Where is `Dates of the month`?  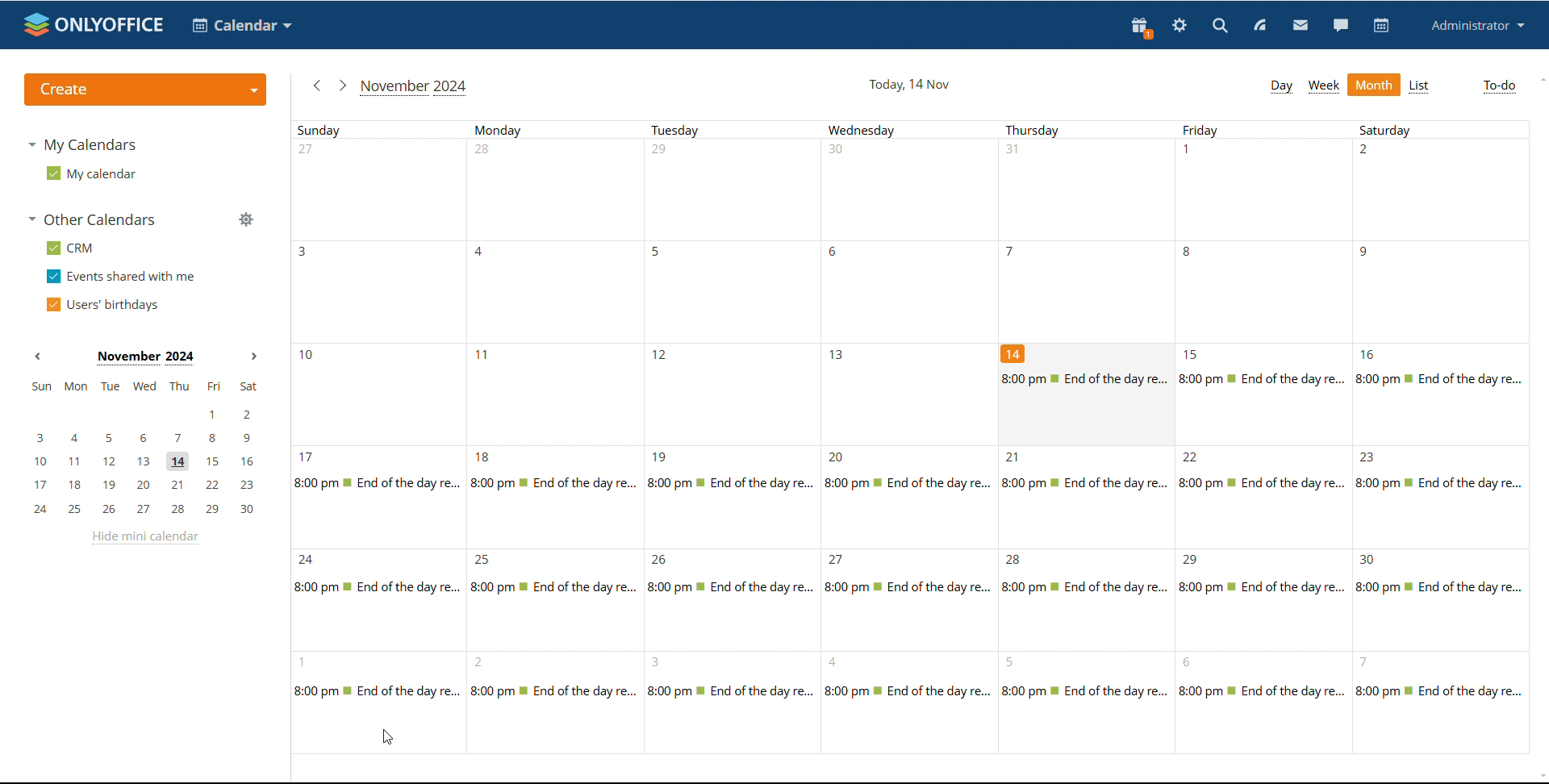 Dates of the month is located at coordinates (923, 288).